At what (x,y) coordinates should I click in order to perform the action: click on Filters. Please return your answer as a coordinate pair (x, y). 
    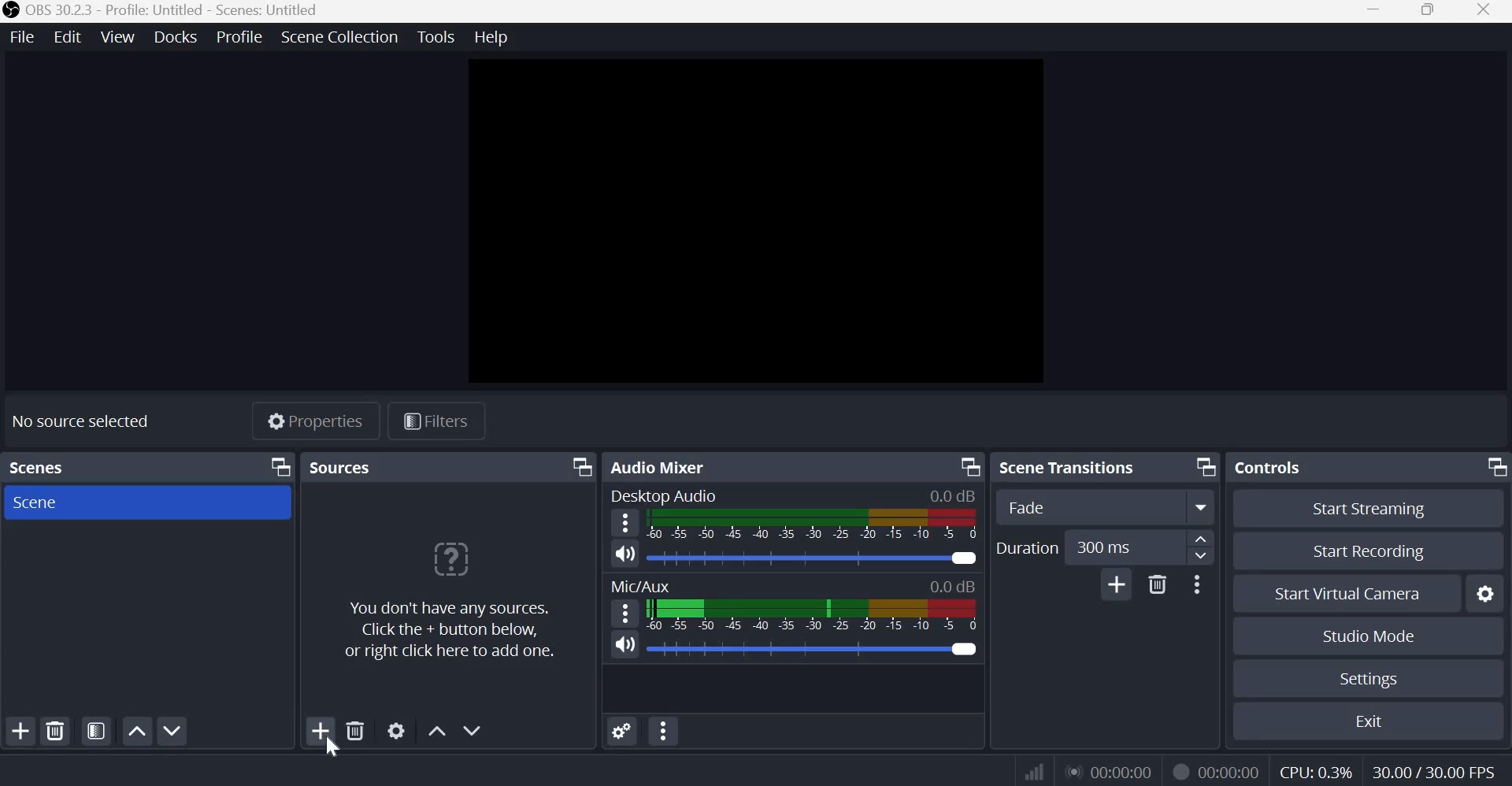
    Looking at the image, I should click on (442, 422).